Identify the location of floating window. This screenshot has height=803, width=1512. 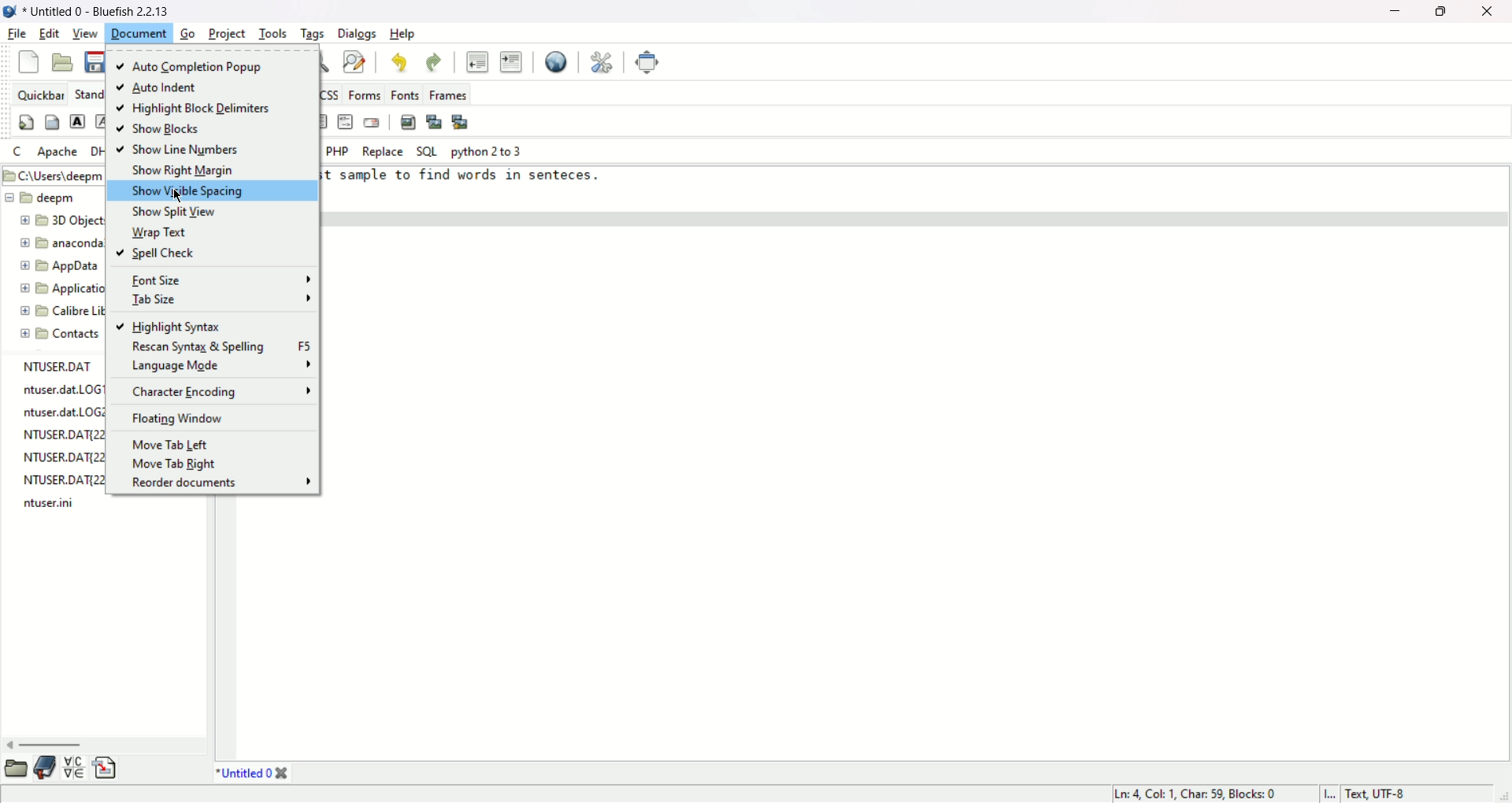
(201, 417).